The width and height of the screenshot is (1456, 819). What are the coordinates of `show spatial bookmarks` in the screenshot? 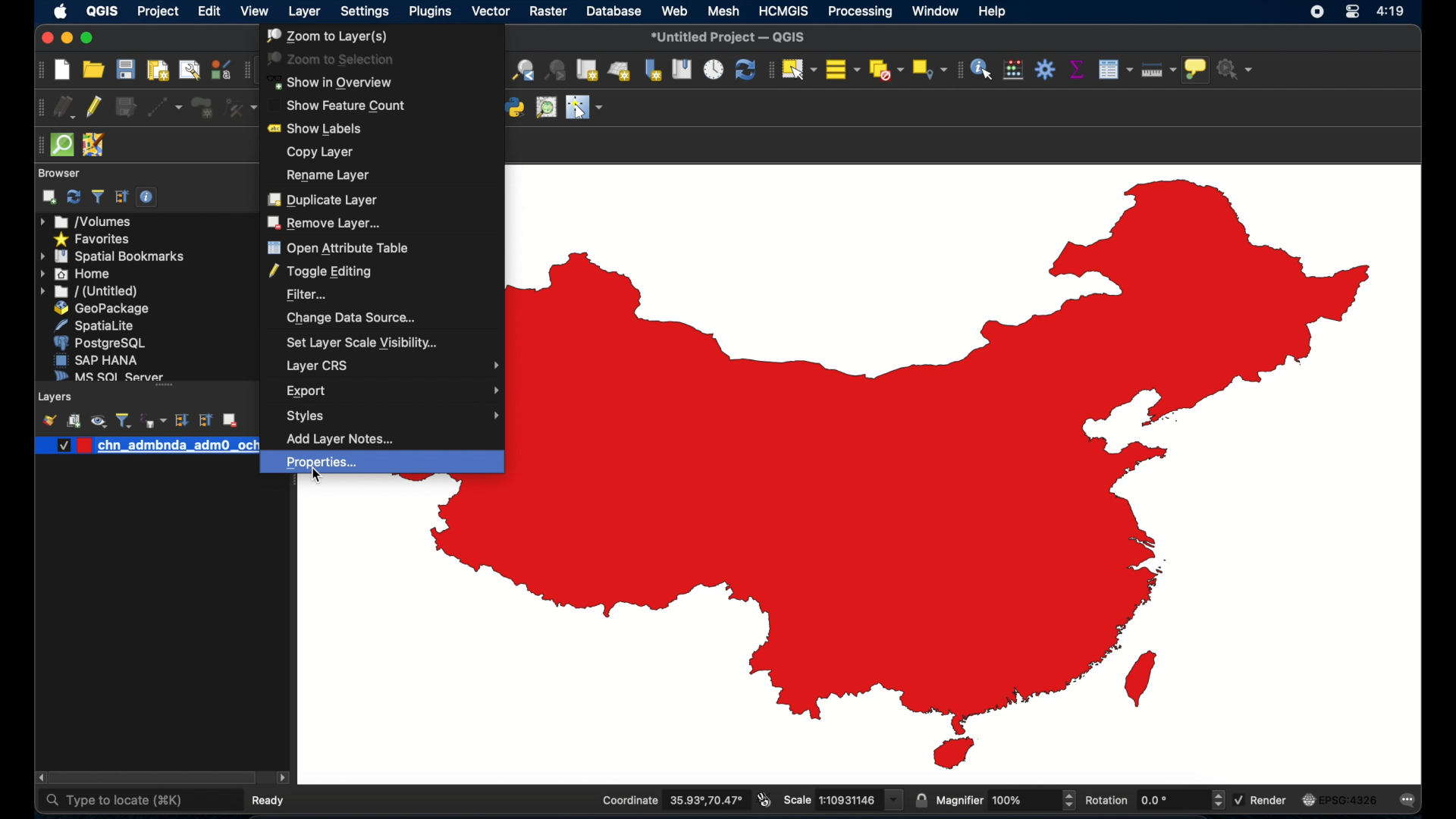 It's located at (682, 71).